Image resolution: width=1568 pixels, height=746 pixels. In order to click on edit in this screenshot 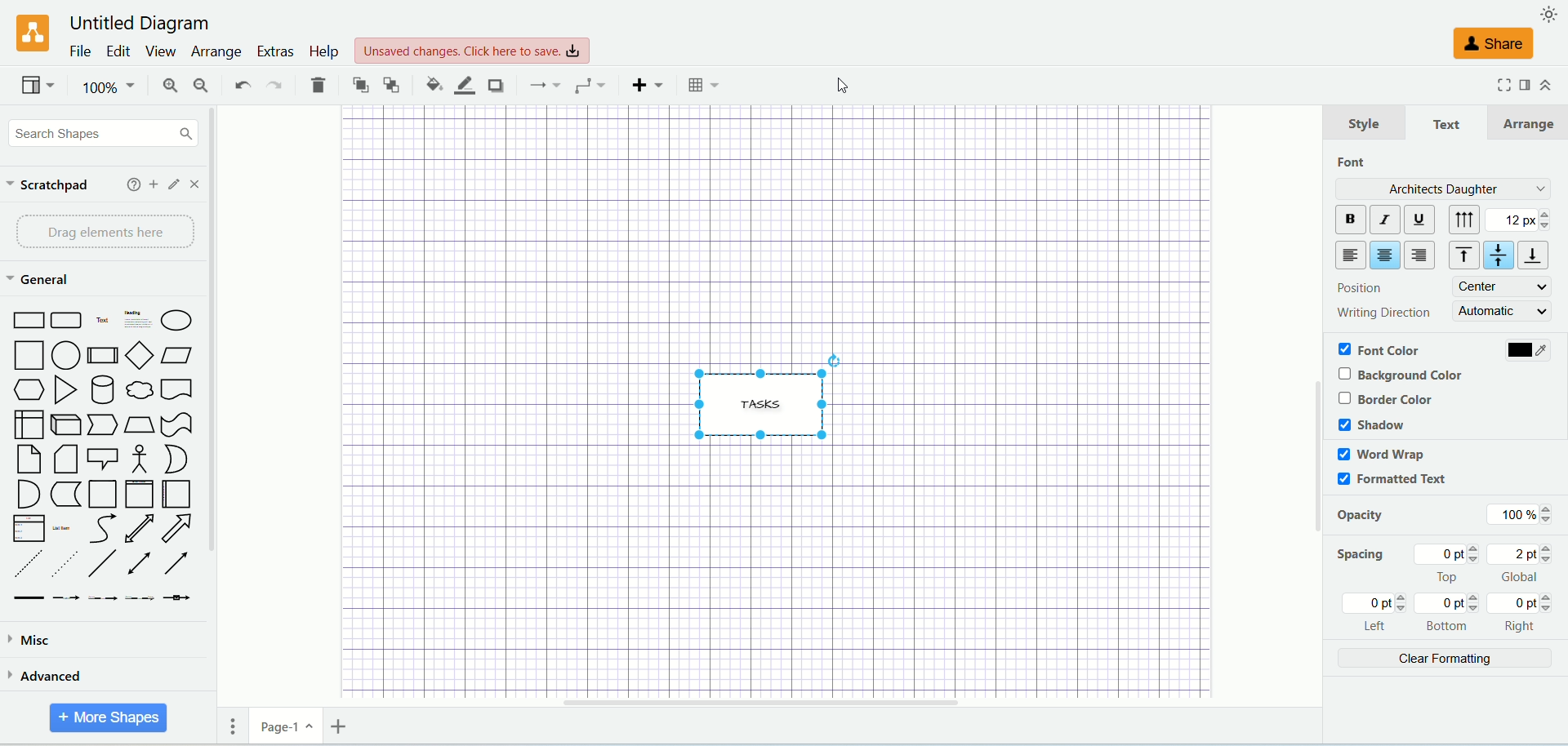, I will do `click(176, 184)`.